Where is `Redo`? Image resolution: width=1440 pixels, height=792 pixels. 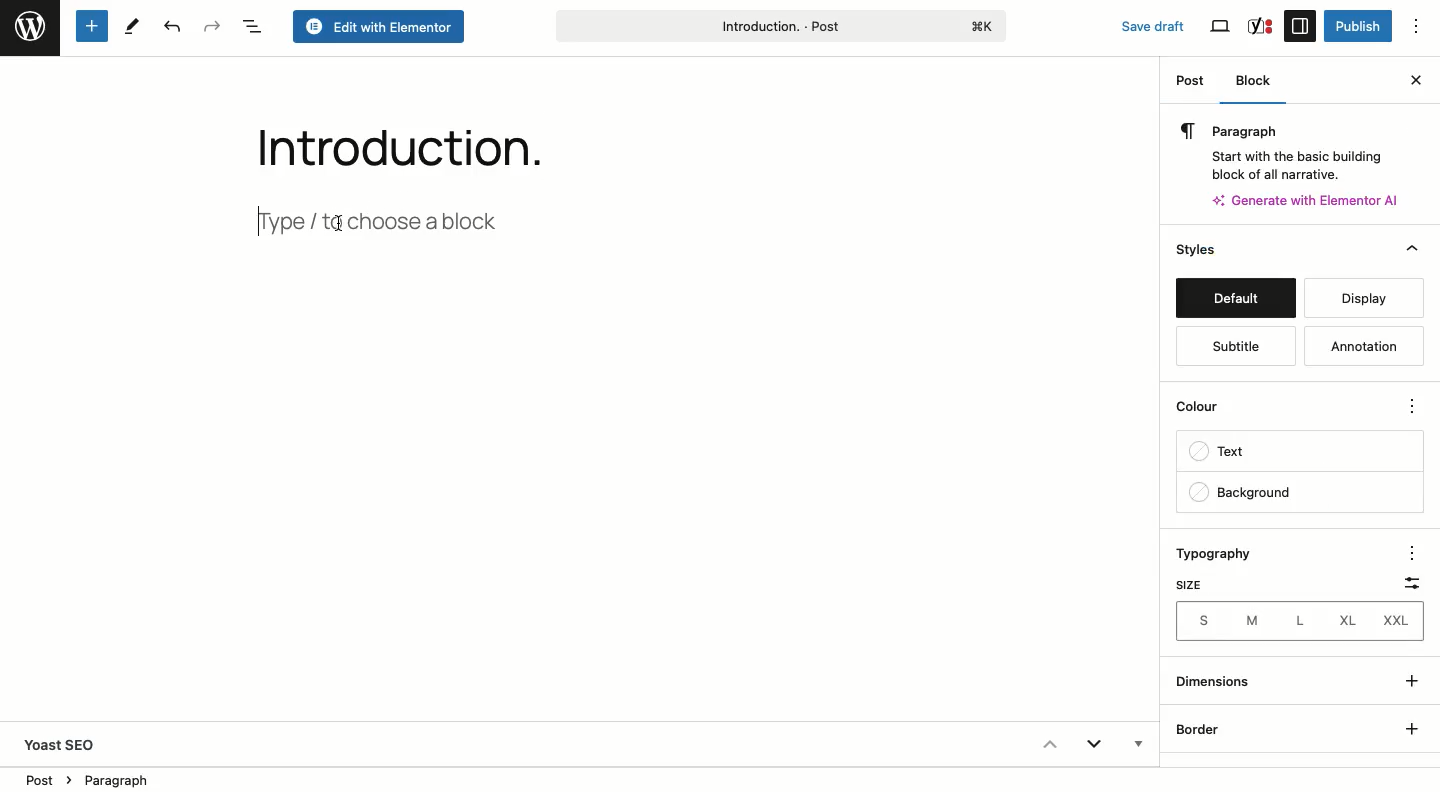 Redo is located at coordinates (213, 26).